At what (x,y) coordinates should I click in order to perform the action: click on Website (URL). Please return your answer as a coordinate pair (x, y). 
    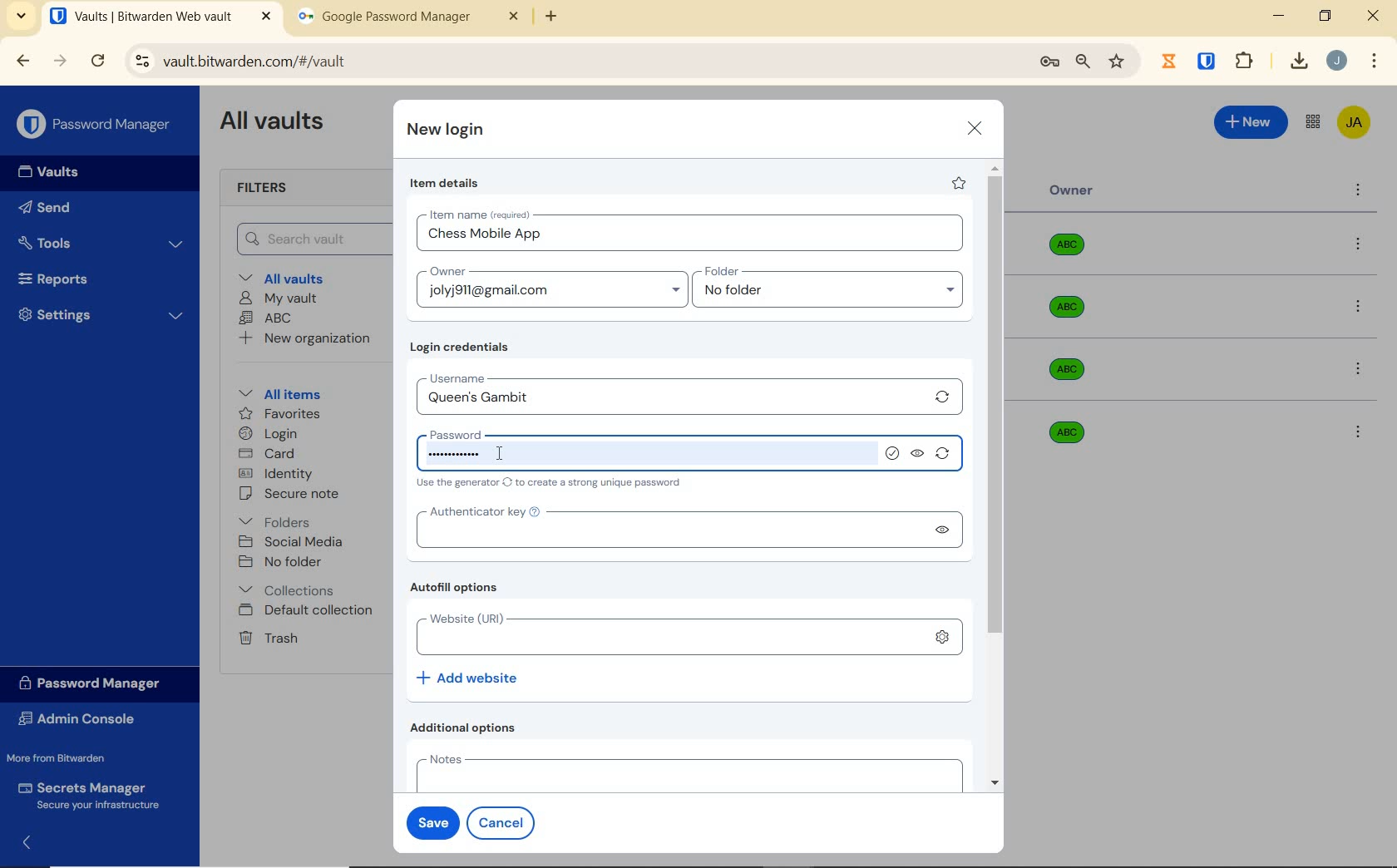
    Looking at the image, I should click on (662, 634).